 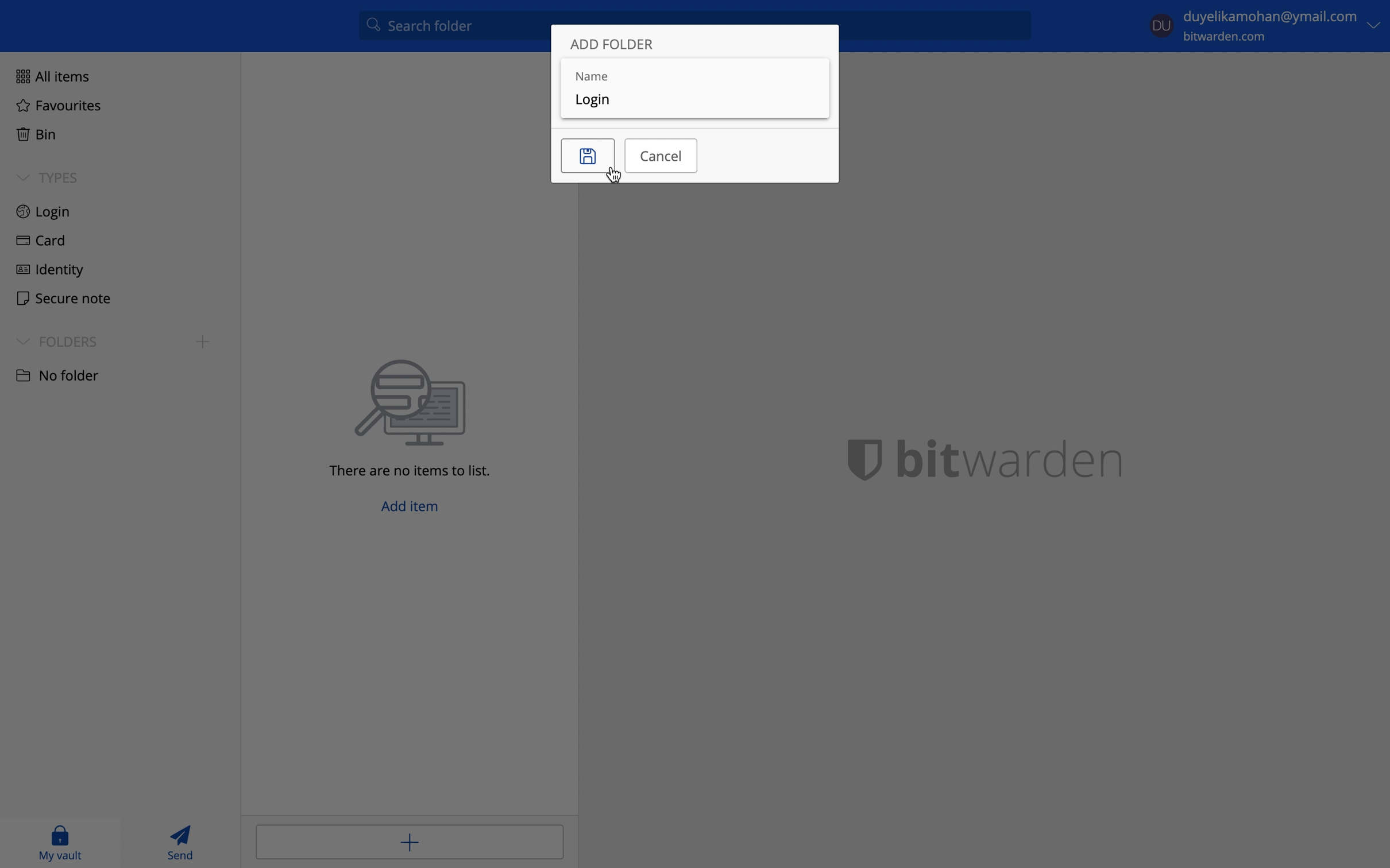 What do you see at coordinates (409, 840) in the screenshot?
I see `add item` at bounding box center [409, 840].